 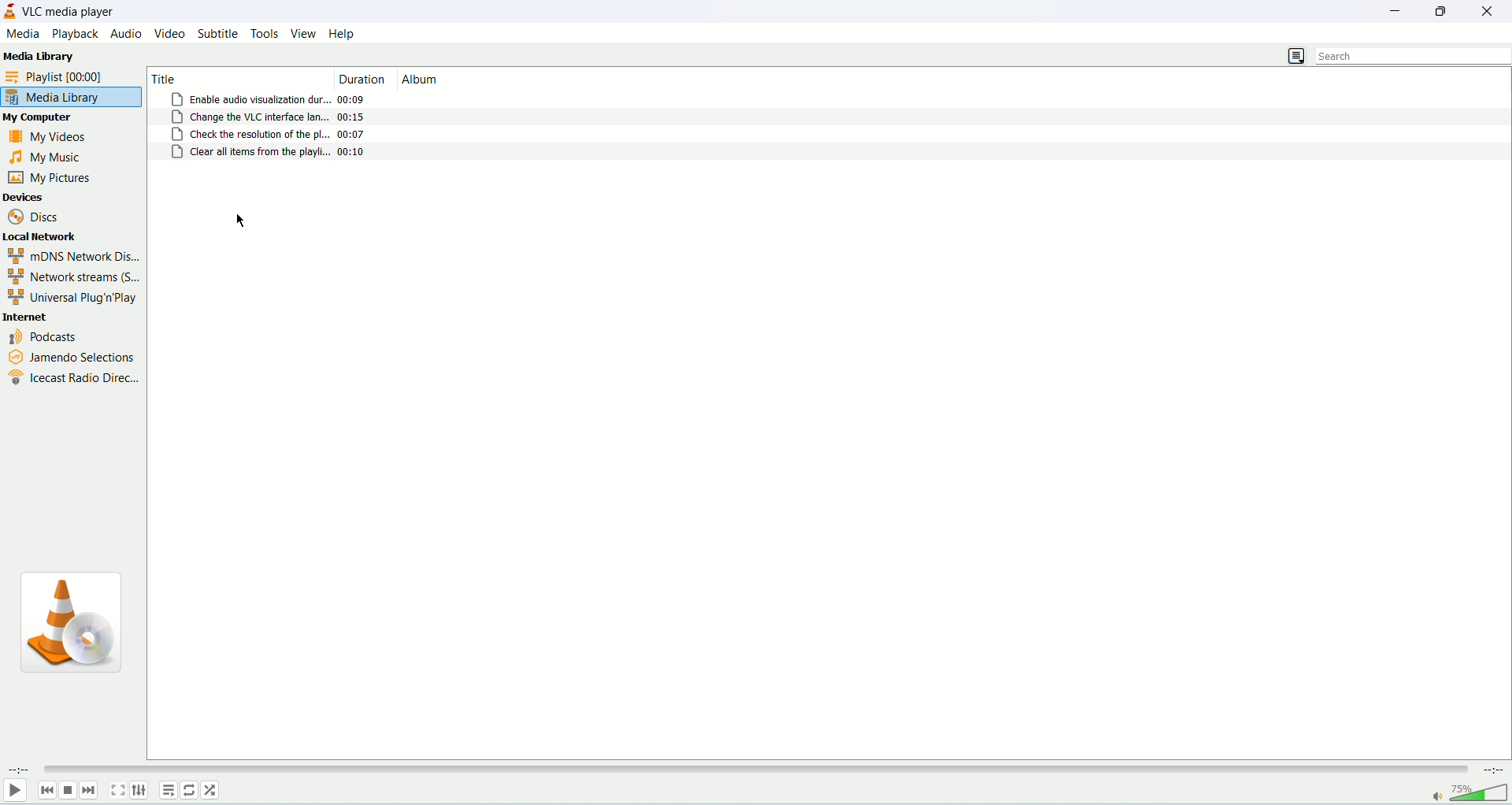 What do you see at coordinates (302, 33) in the screenshot?
I see `view` at bounding box center [302, 33].